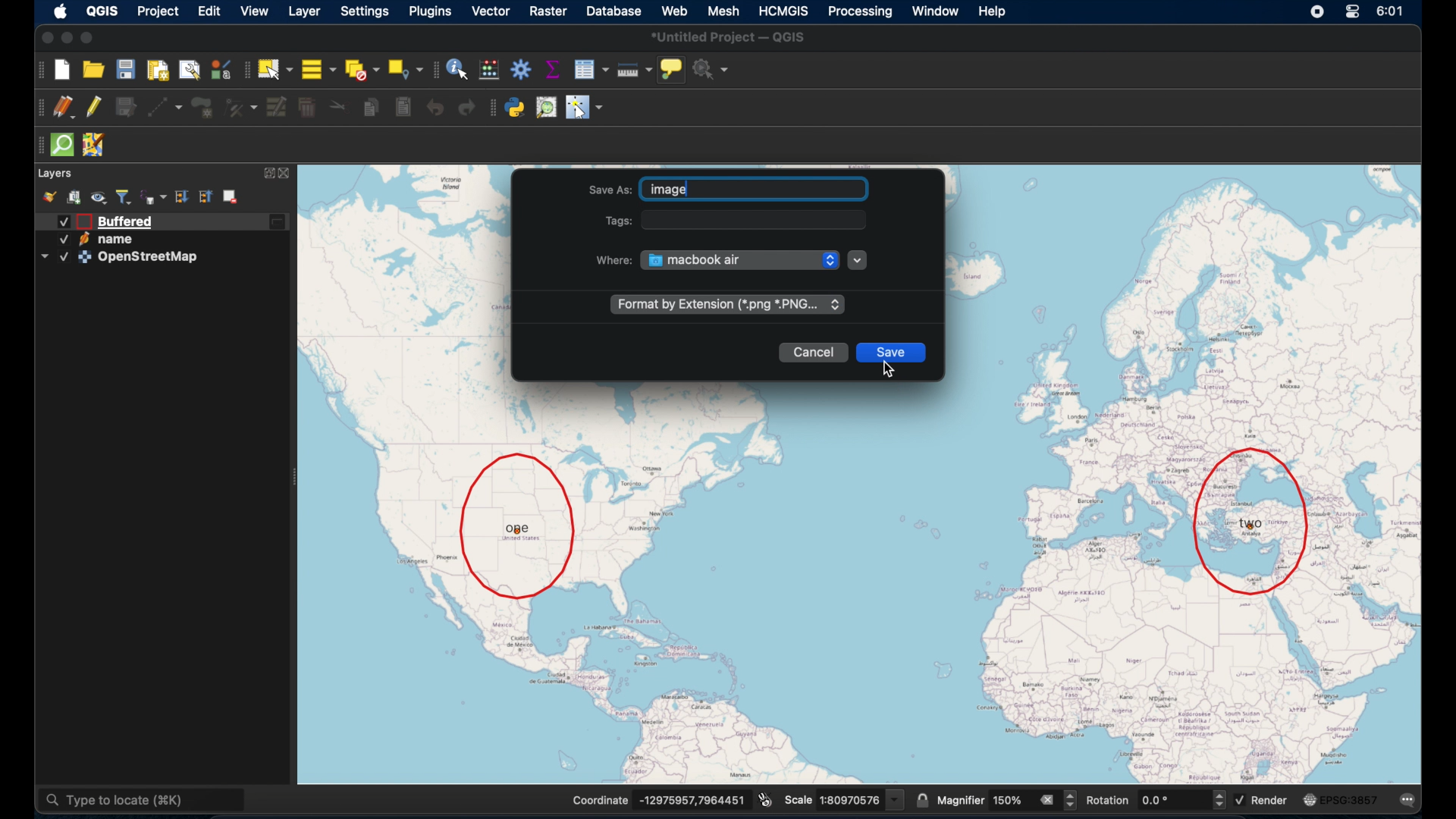  What do you see at coordinates (243, 69) in the screenshot?
I see `selection toolbar` at bounding box center [243, 69].